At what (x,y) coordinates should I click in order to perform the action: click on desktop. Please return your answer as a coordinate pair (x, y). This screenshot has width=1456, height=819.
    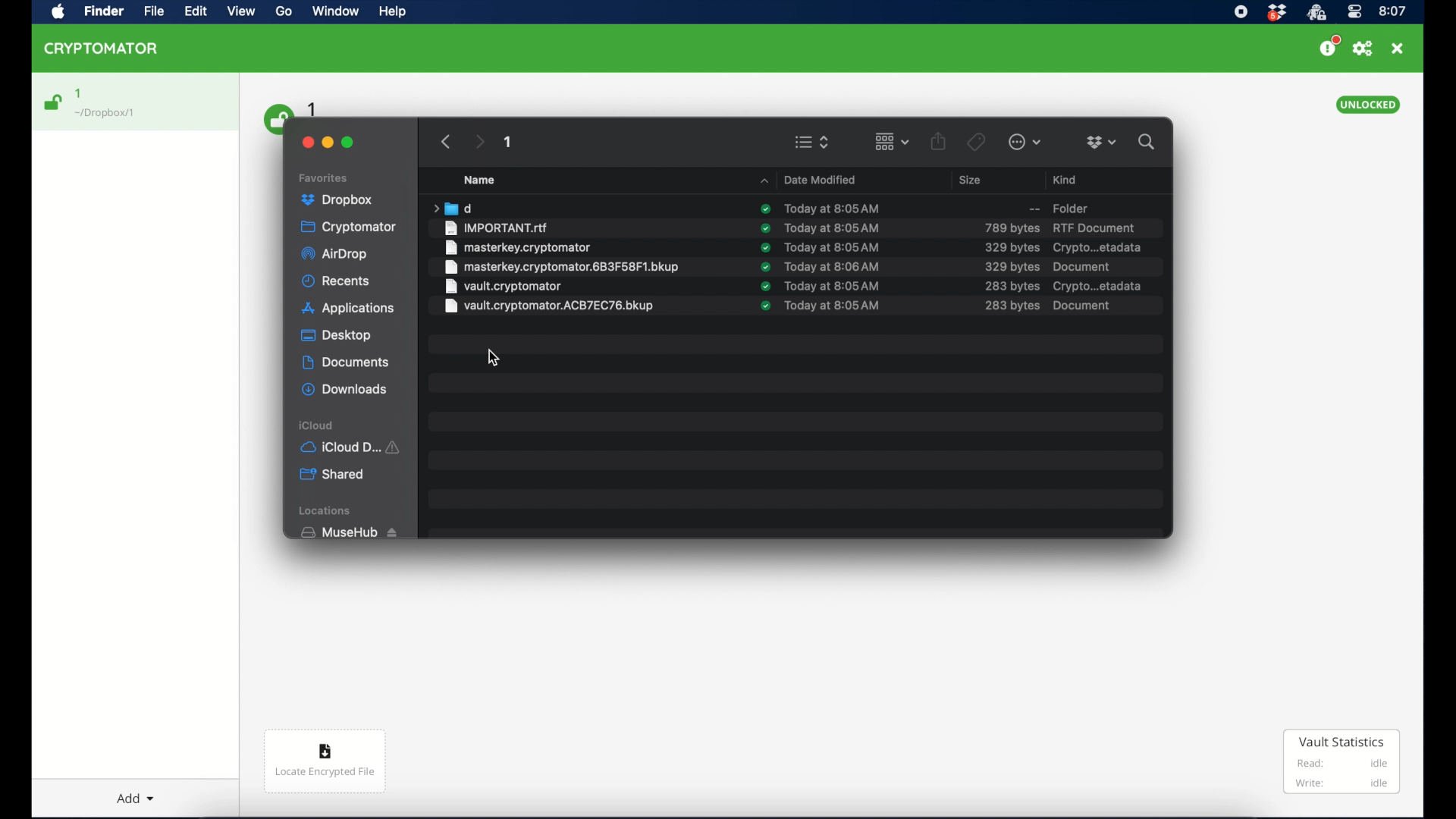
    Looking at the image, I should click on (336, 336).